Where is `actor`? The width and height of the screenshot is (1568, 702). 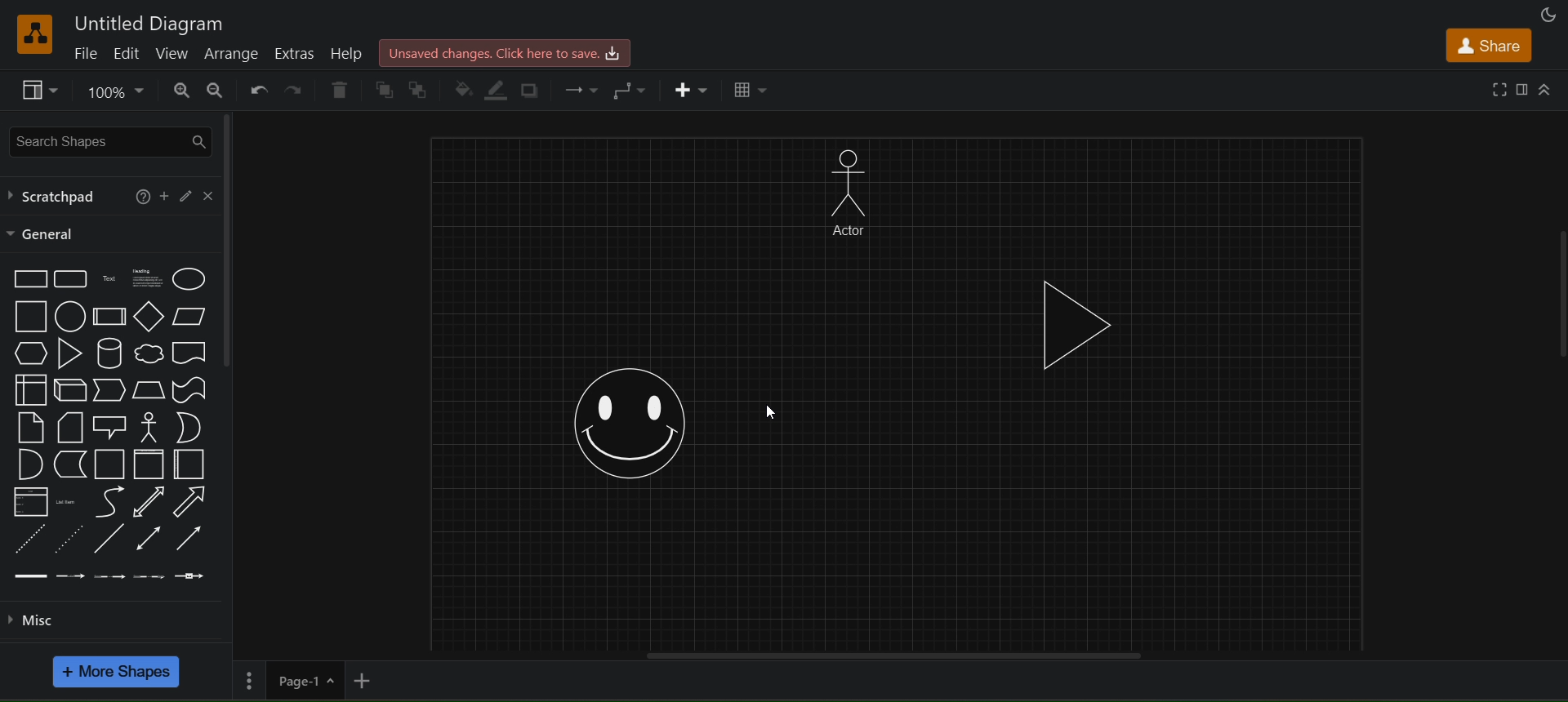 actor is located at coordinates (146, 427).